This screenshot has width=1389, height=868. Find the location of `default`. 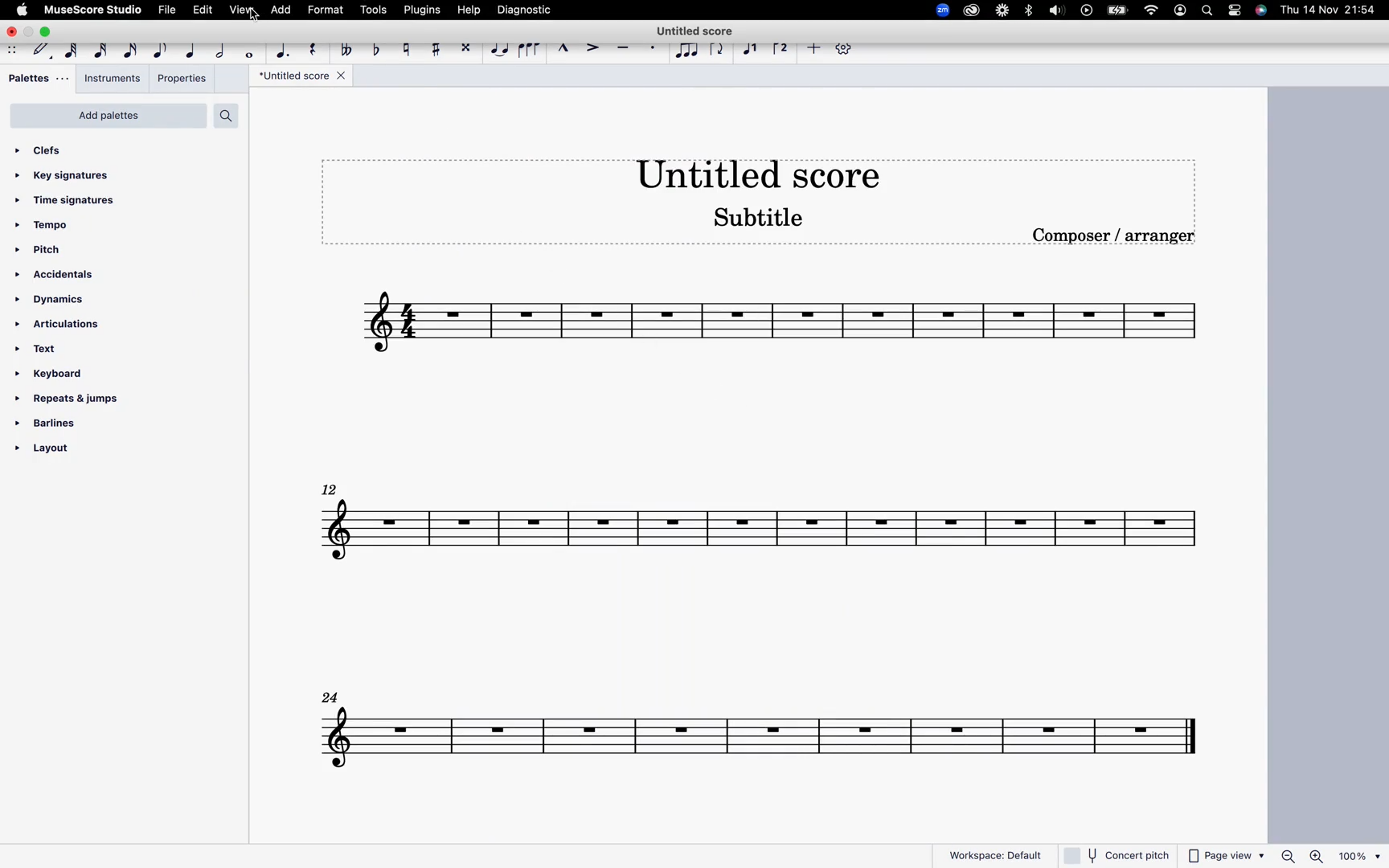

default is located at coordinates (39, 49).